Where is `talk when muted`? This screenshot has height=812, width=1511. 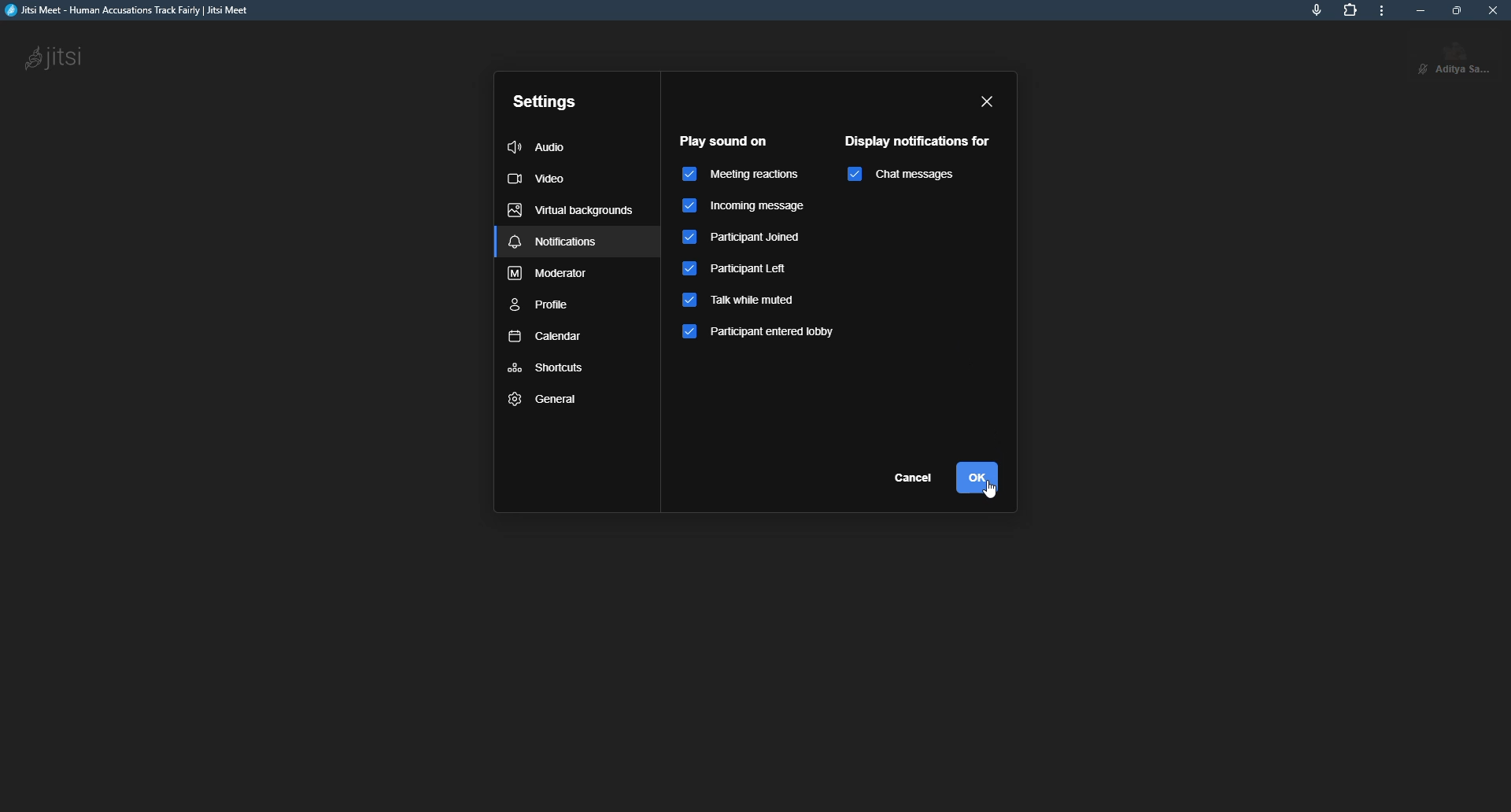
talk when muted is located at coordinates (744, 301).